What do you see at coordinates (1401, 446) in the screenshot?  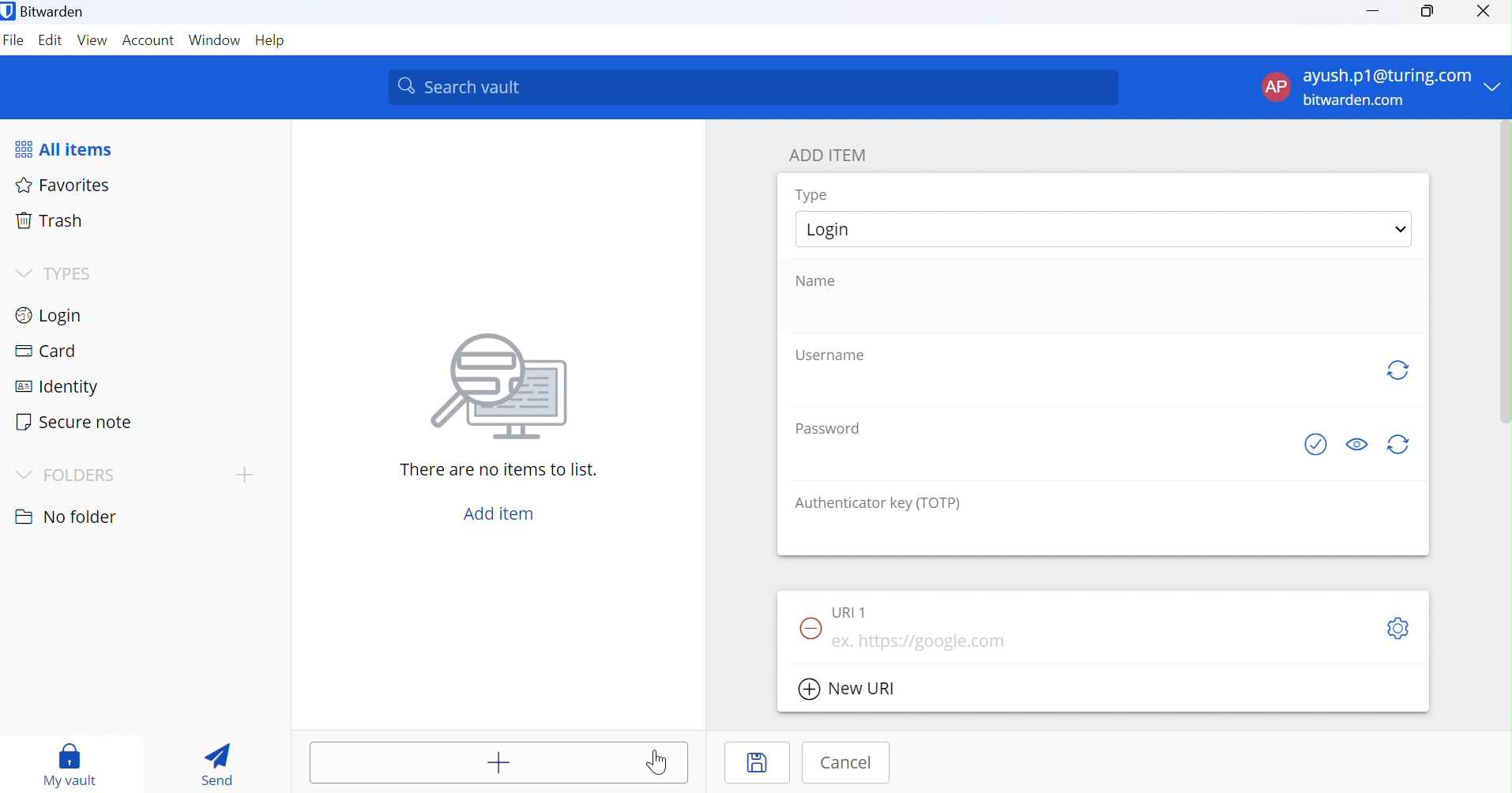 I see `Regenerate password` at bounding box center [1401, 446].